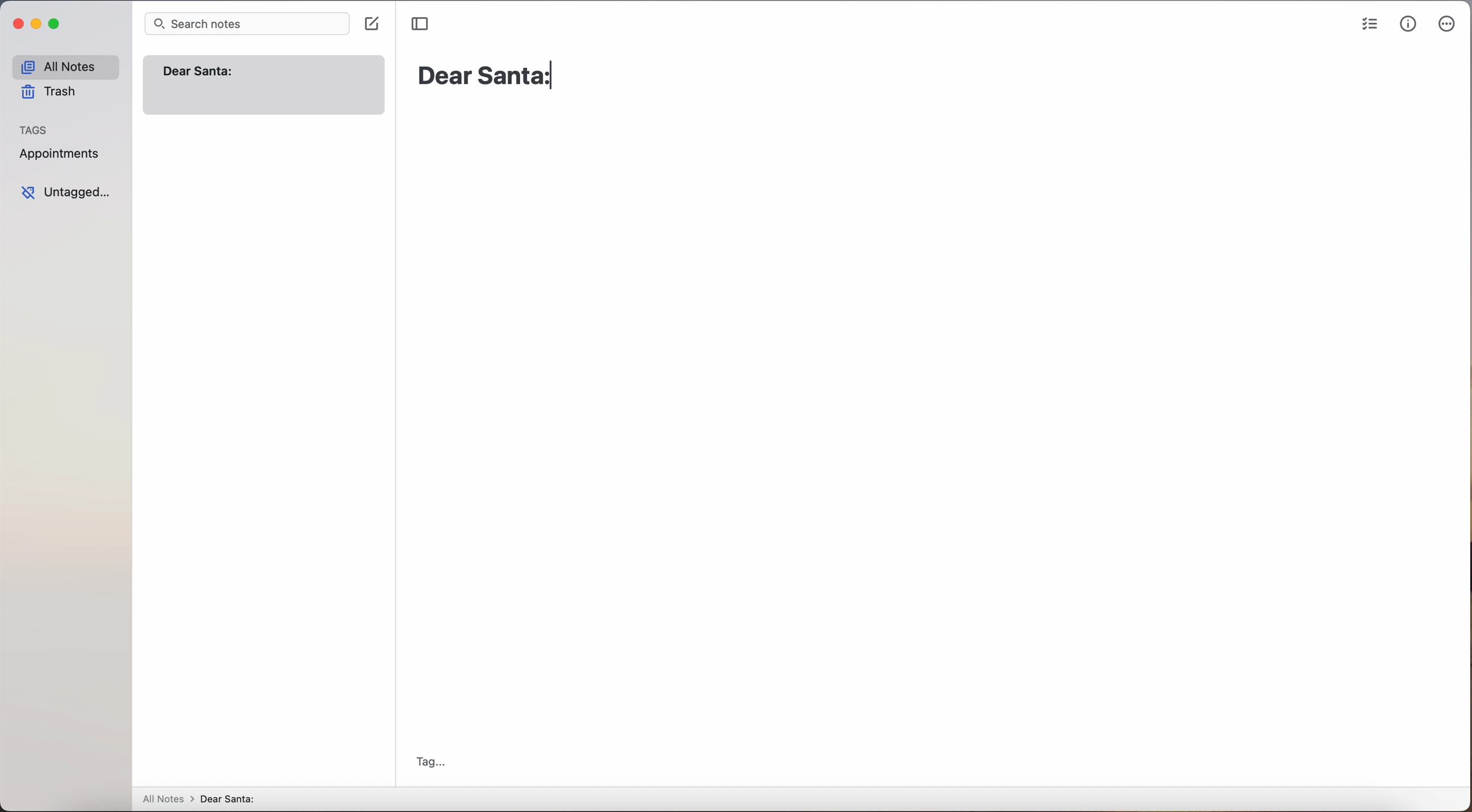 Image resolution: width=1472 pixels, height=812 pixels. Describe the element at coordinates (374, 26) in the screenshot. I see `click on create note` at that location.